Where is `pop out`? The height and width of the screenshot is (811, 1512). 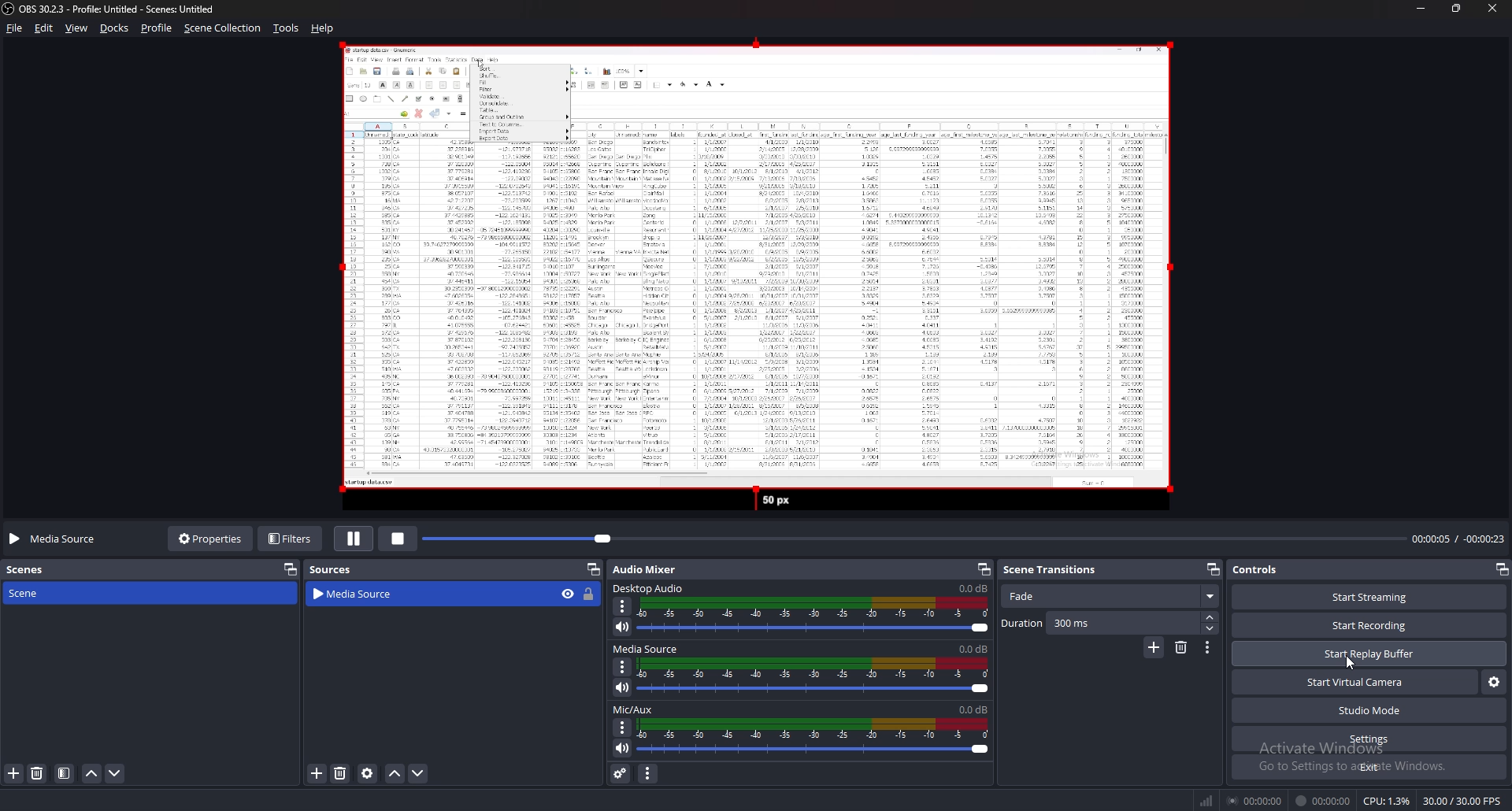 pop out is located at coordinates (982, 568).